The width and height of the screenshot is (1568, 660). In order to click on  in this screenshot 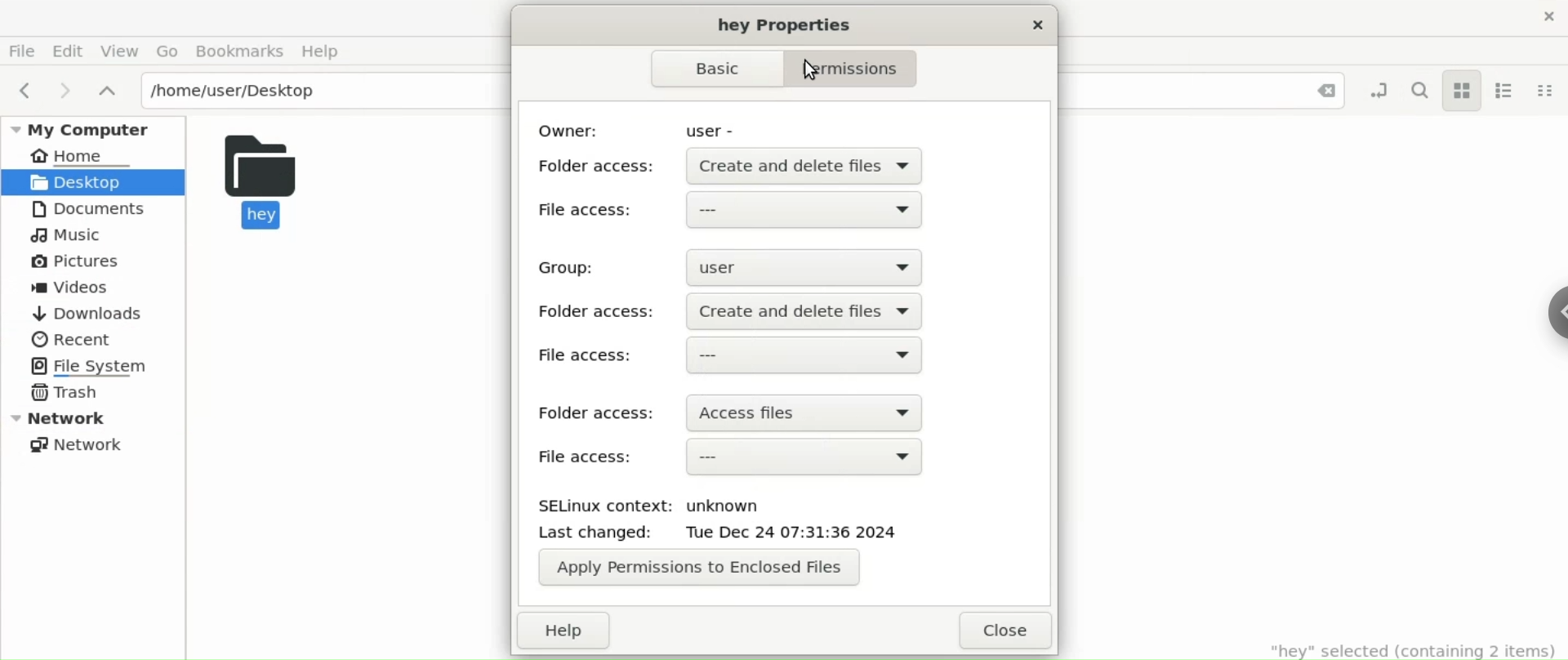, I will do `click(719, 70)`.